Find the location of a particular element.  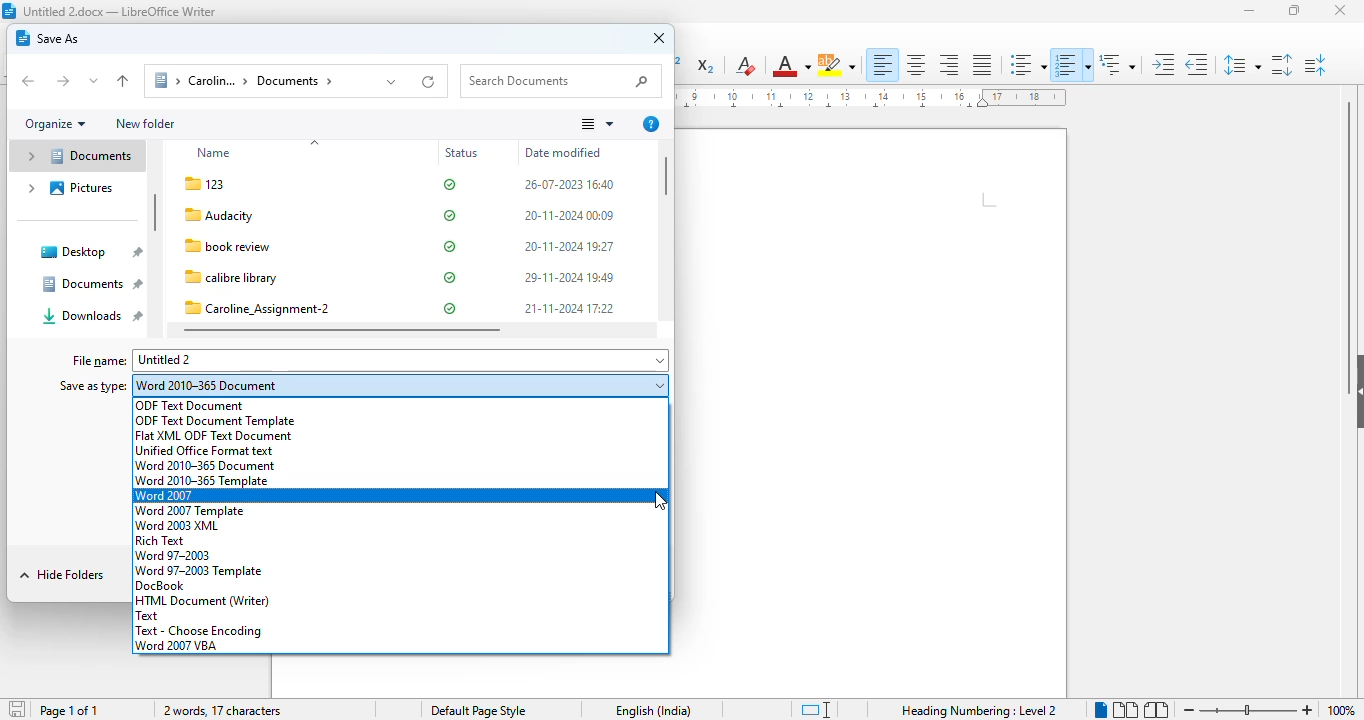

pictures is located at coordinates (68, 188).